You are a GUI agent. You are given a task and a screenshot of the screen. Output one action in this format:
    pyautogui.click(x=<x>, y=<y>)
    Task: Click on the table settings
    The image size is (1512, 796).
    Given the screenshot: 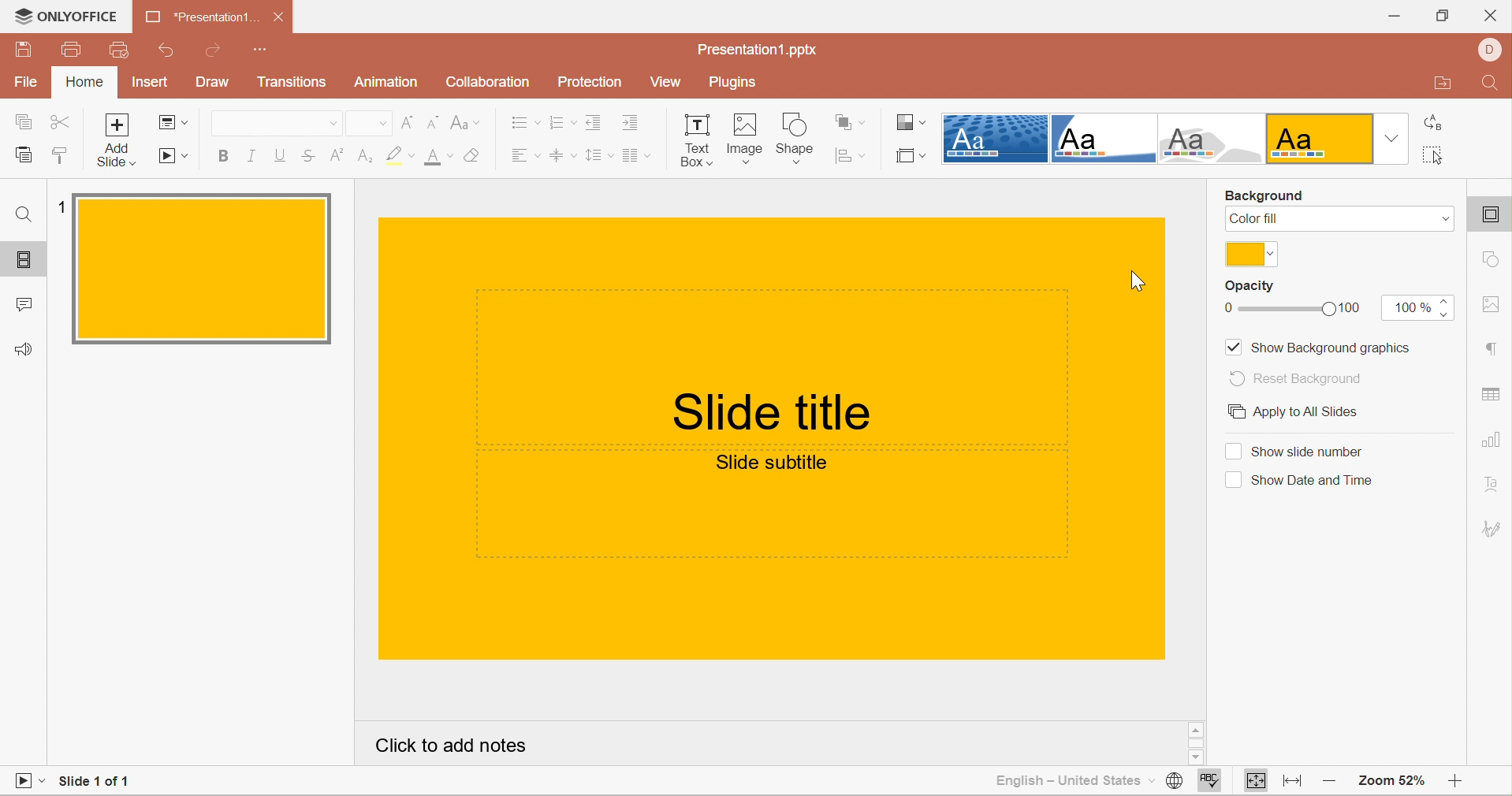 What is the action you would take?
    pyautogui.click(x=1492, y=391)
    